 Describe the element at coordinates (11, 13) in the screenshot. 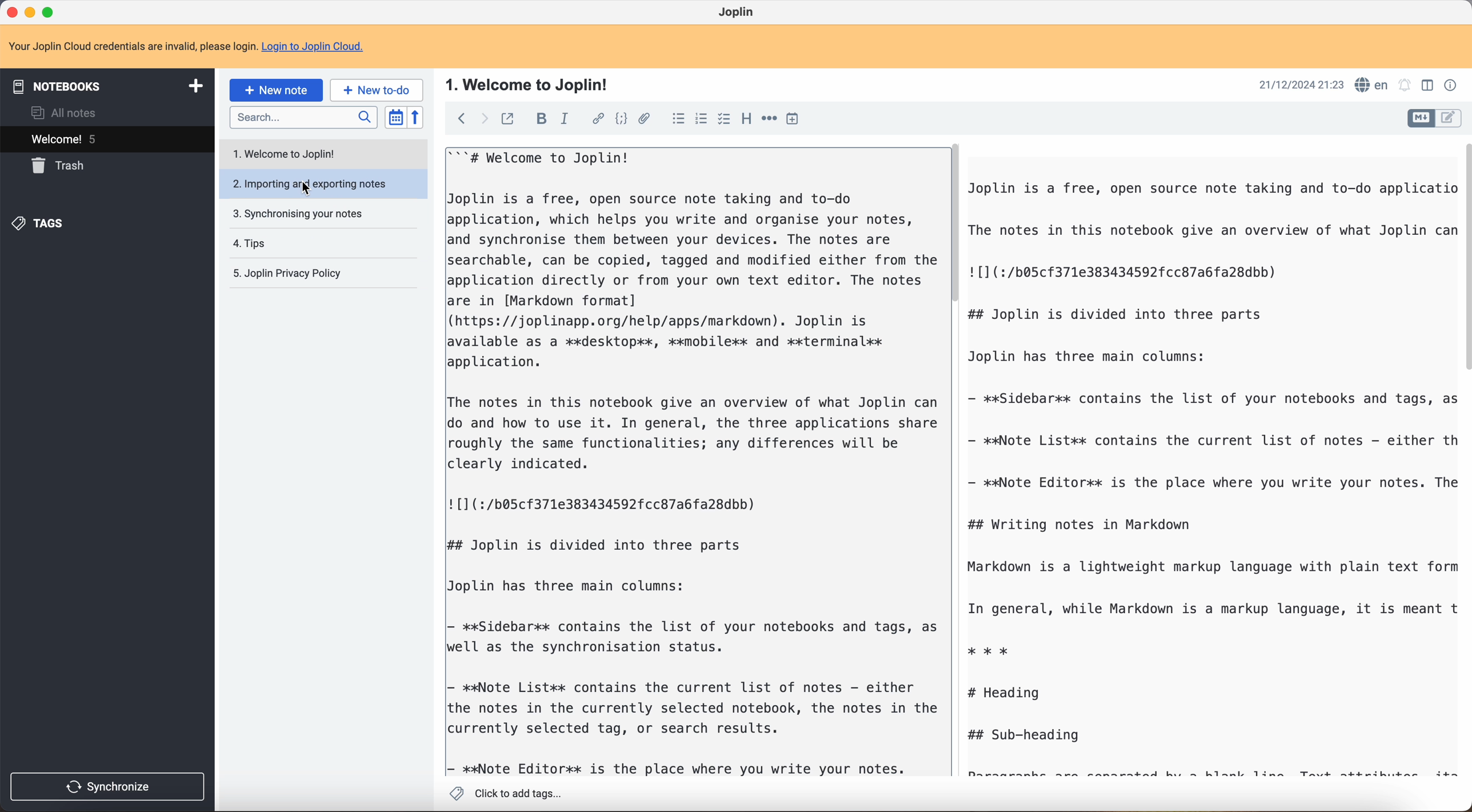

I see `close Joplin` at that location.